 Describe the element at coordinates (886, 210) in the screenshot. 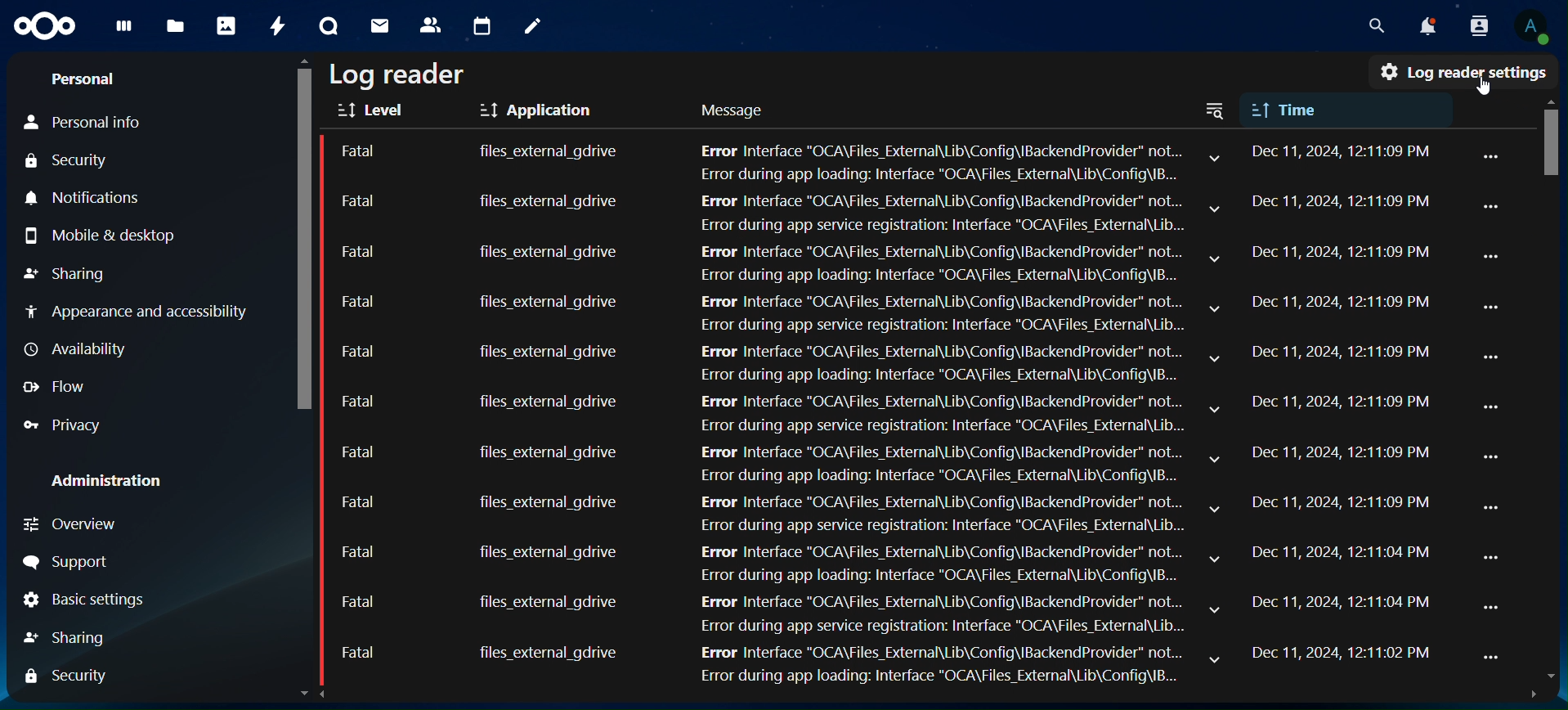

I see `information about log level, application, it's message and time details` at that location.